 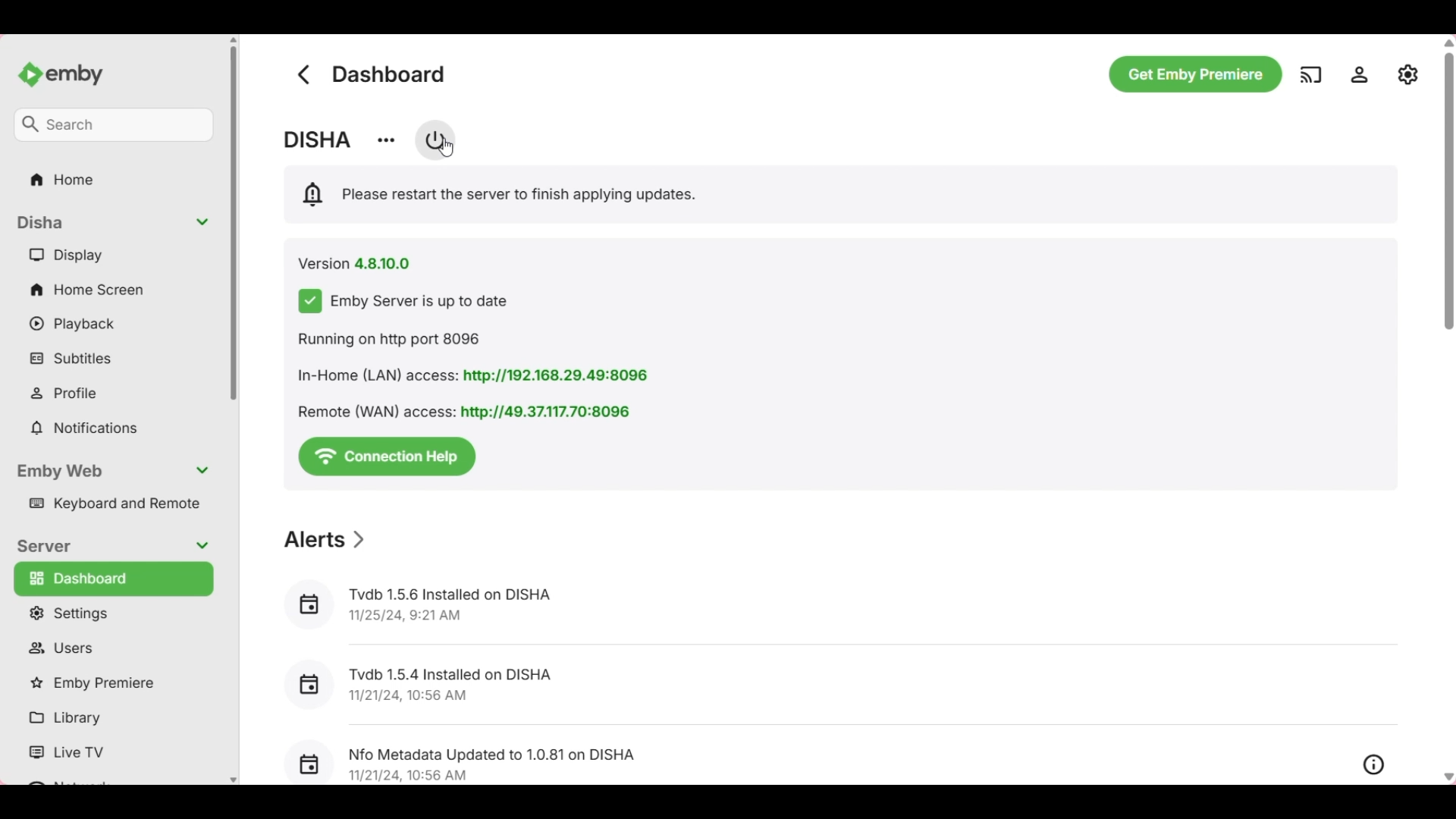 I want to click on Collapse Emby web, so click(x=112, y=472).